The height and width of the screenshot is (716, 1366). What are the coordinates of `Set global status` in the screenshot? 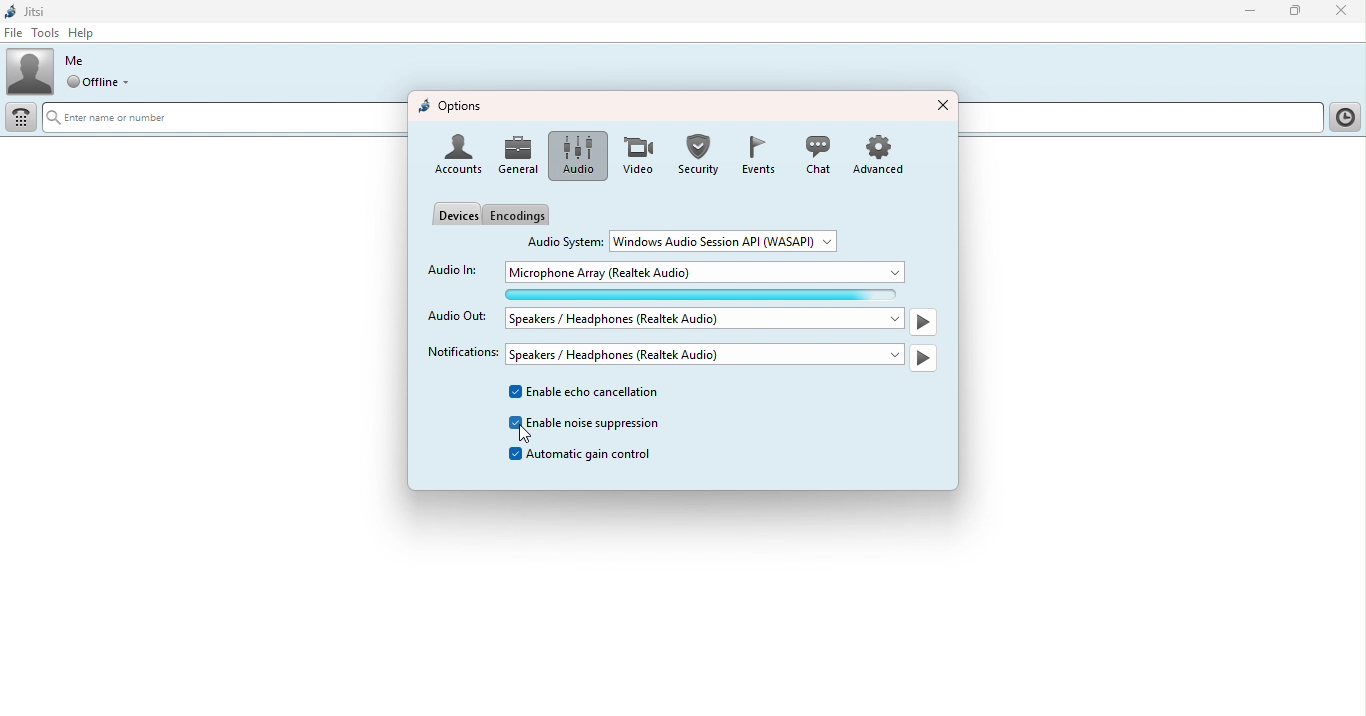 It's located at (106, 84).